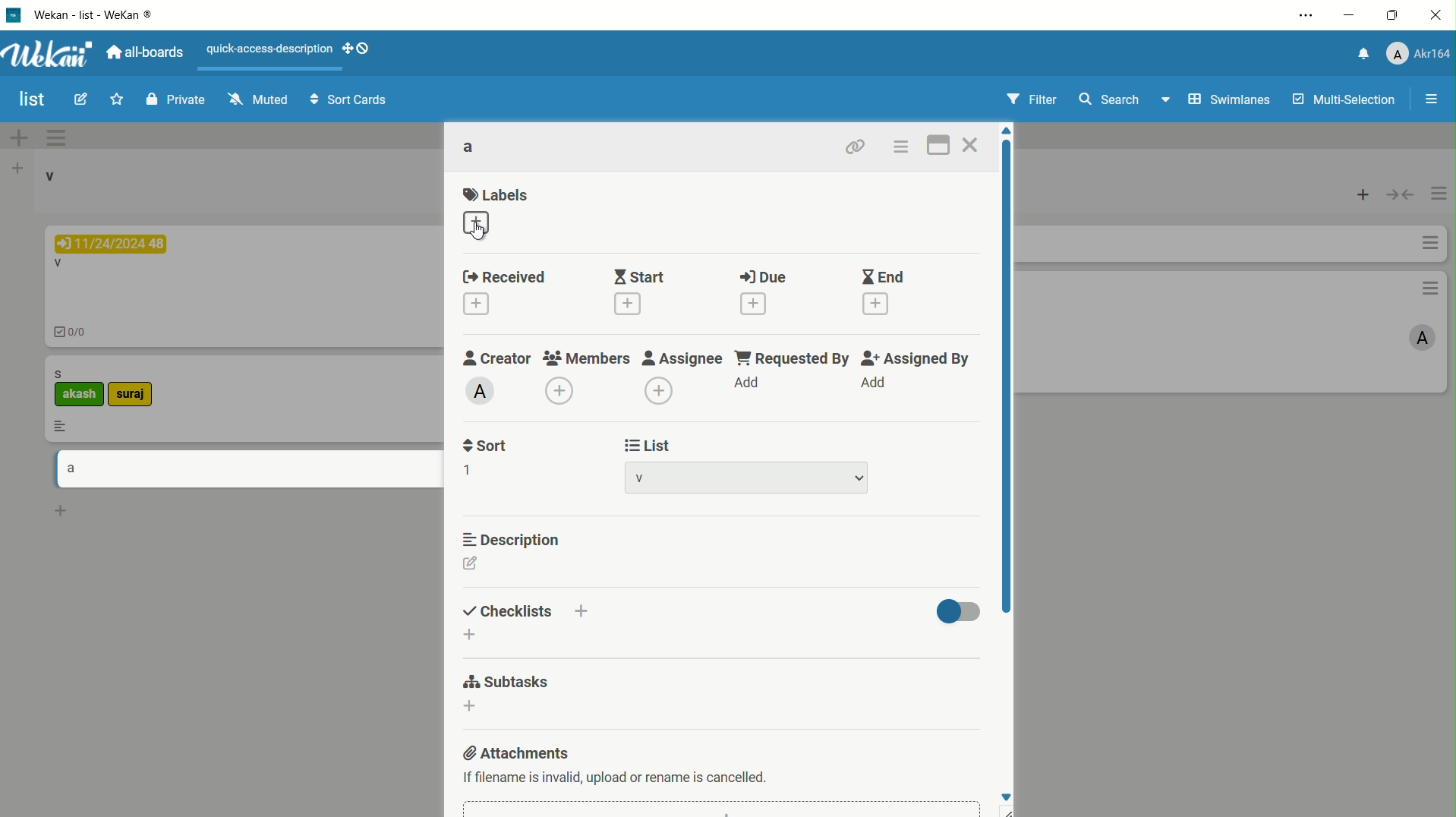  Describe the element at coordinates (469, 708) in the screenshot. I see `dd subtasks` at that location.